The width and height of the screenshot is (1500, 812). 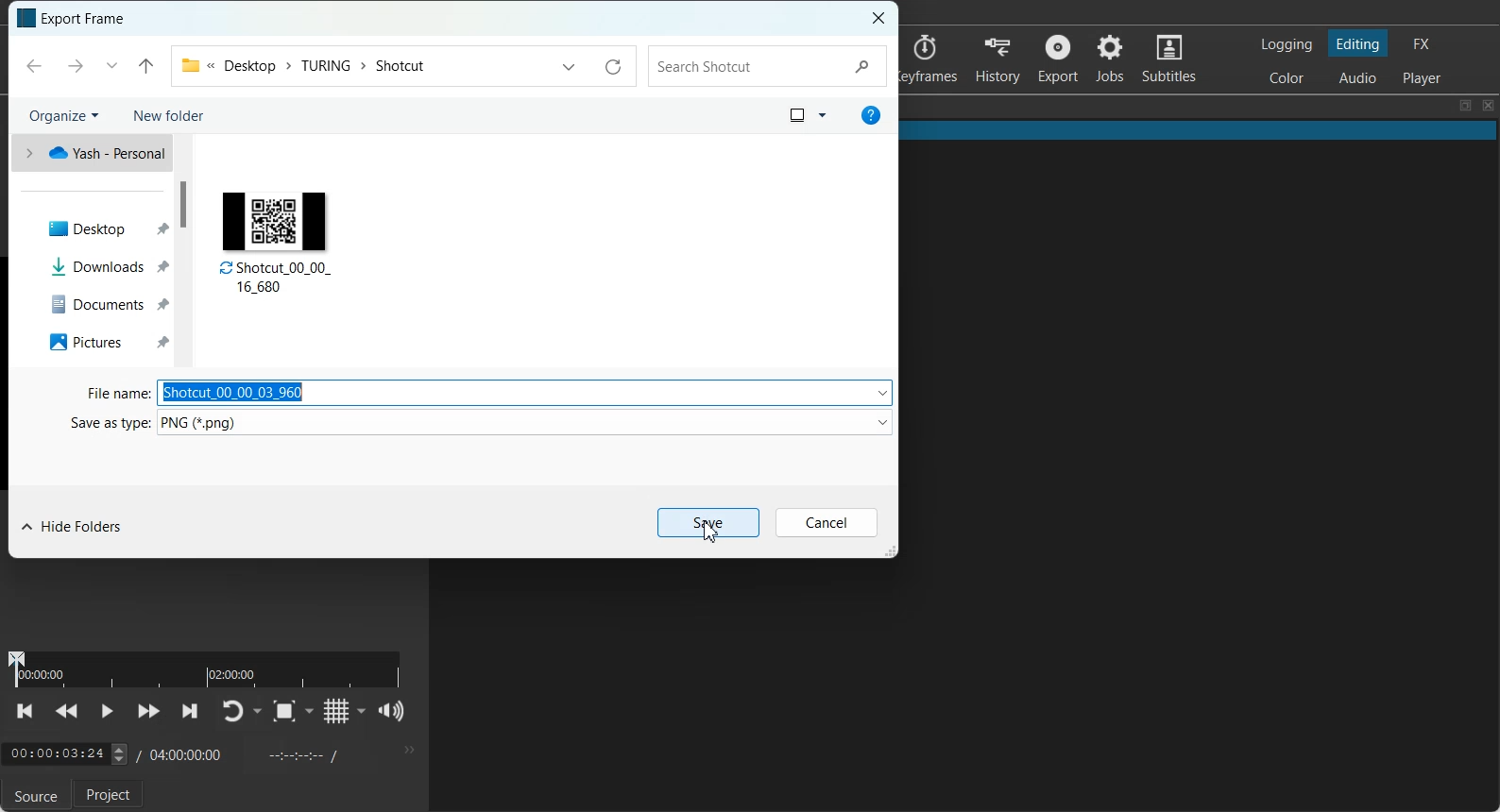 What do you see at coordinates (335, 711) in the screenshot?
I see `Toggle grid display on the player` at bounding box center [335, 711].